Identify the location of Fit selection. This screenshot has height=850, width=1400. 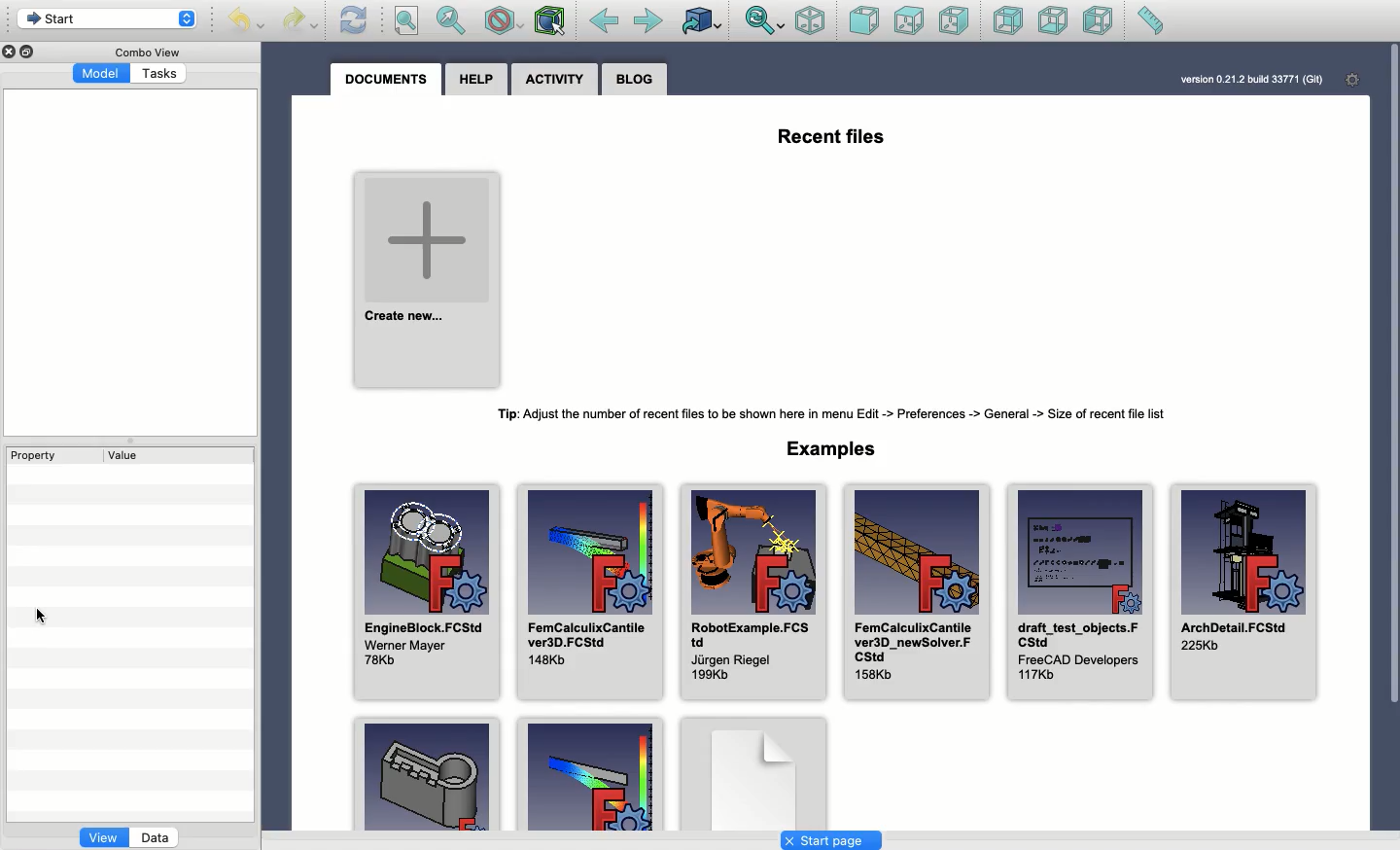
(450, 19).